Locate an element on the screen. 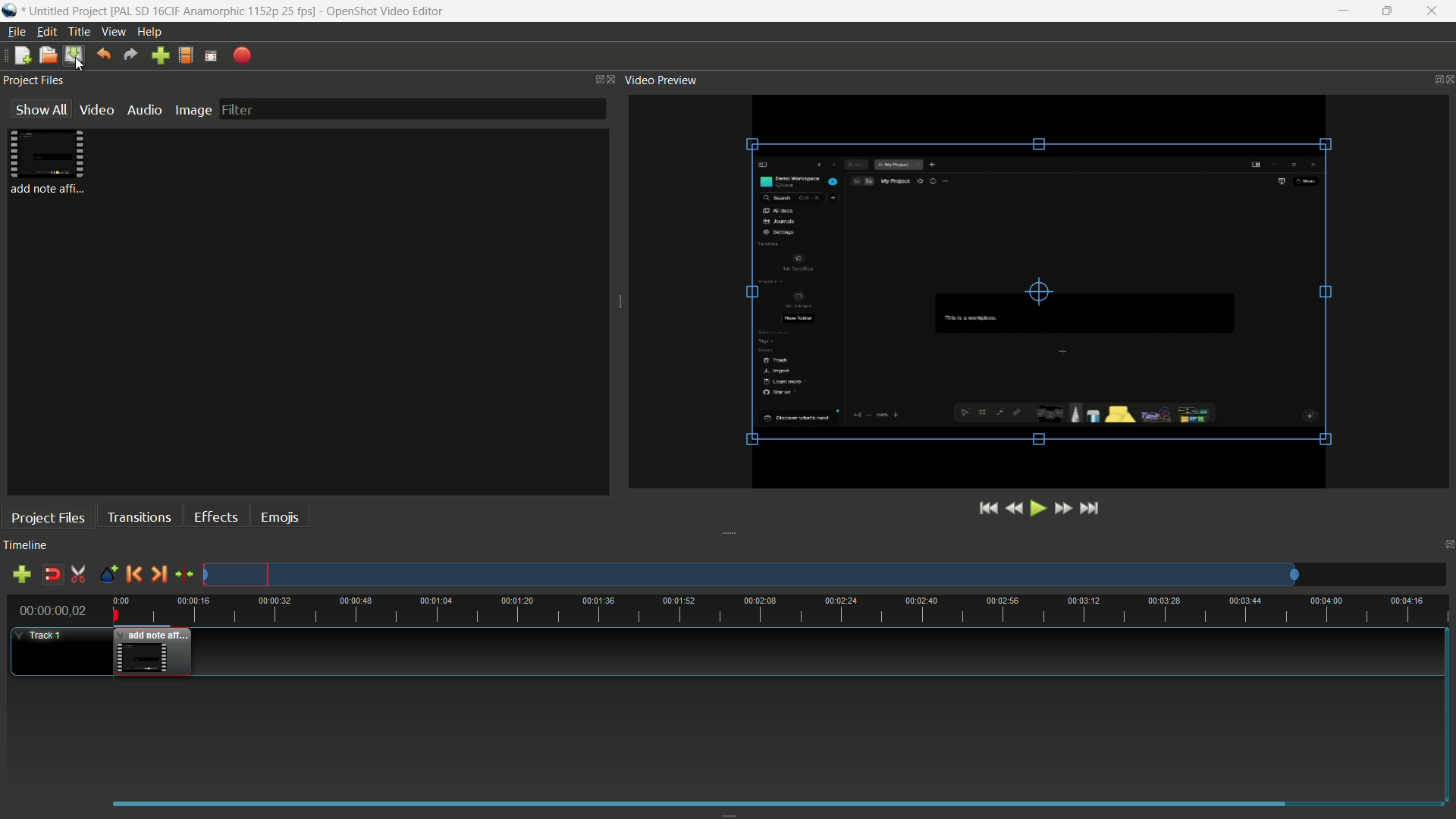 The width and height of the screenshot is (1456, 819). close video preview is located at coordinates (1447, 78).